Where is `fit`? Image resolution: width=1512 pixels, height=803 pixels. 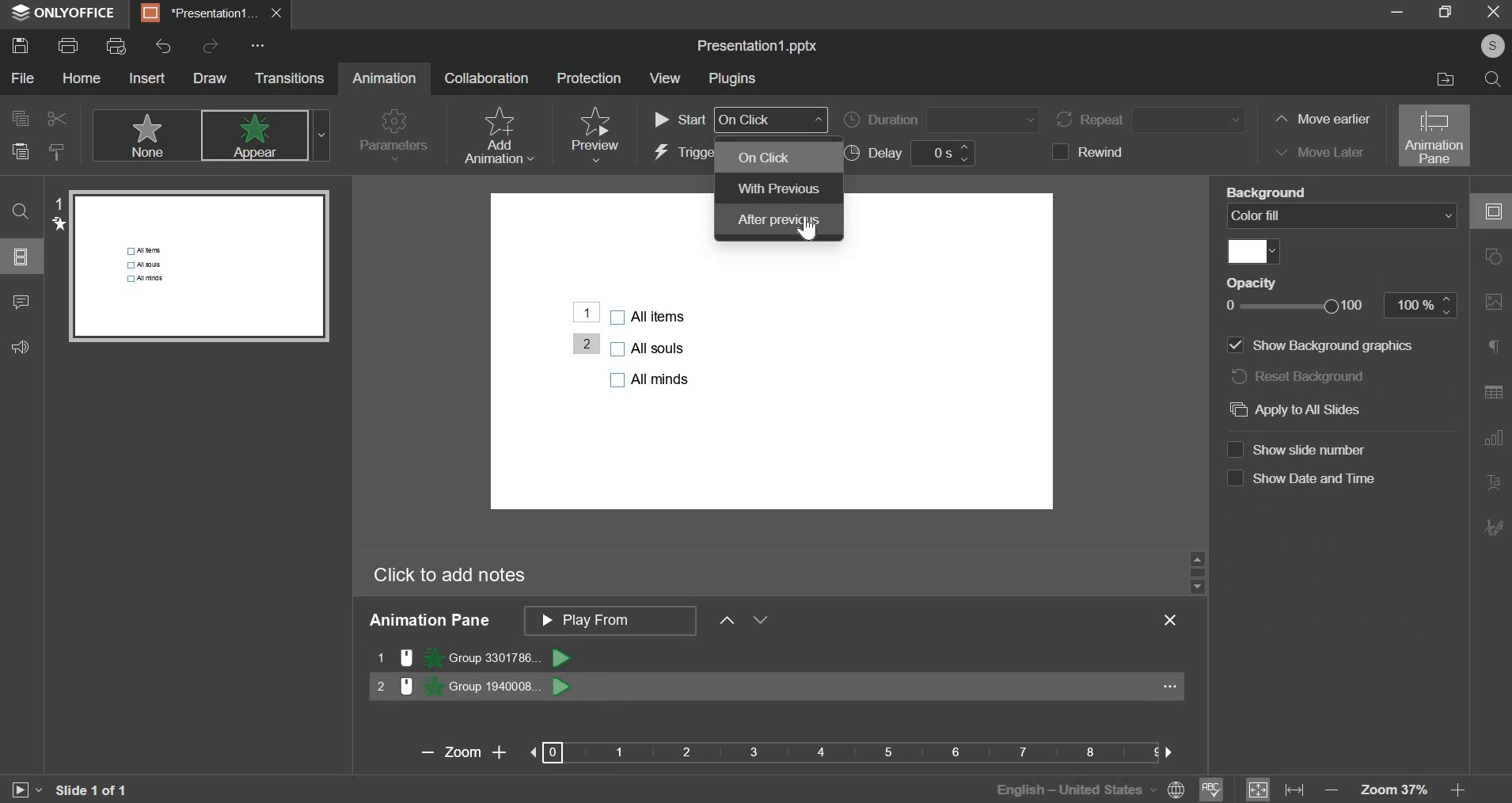
fit is located at coordinates (1275, 788).